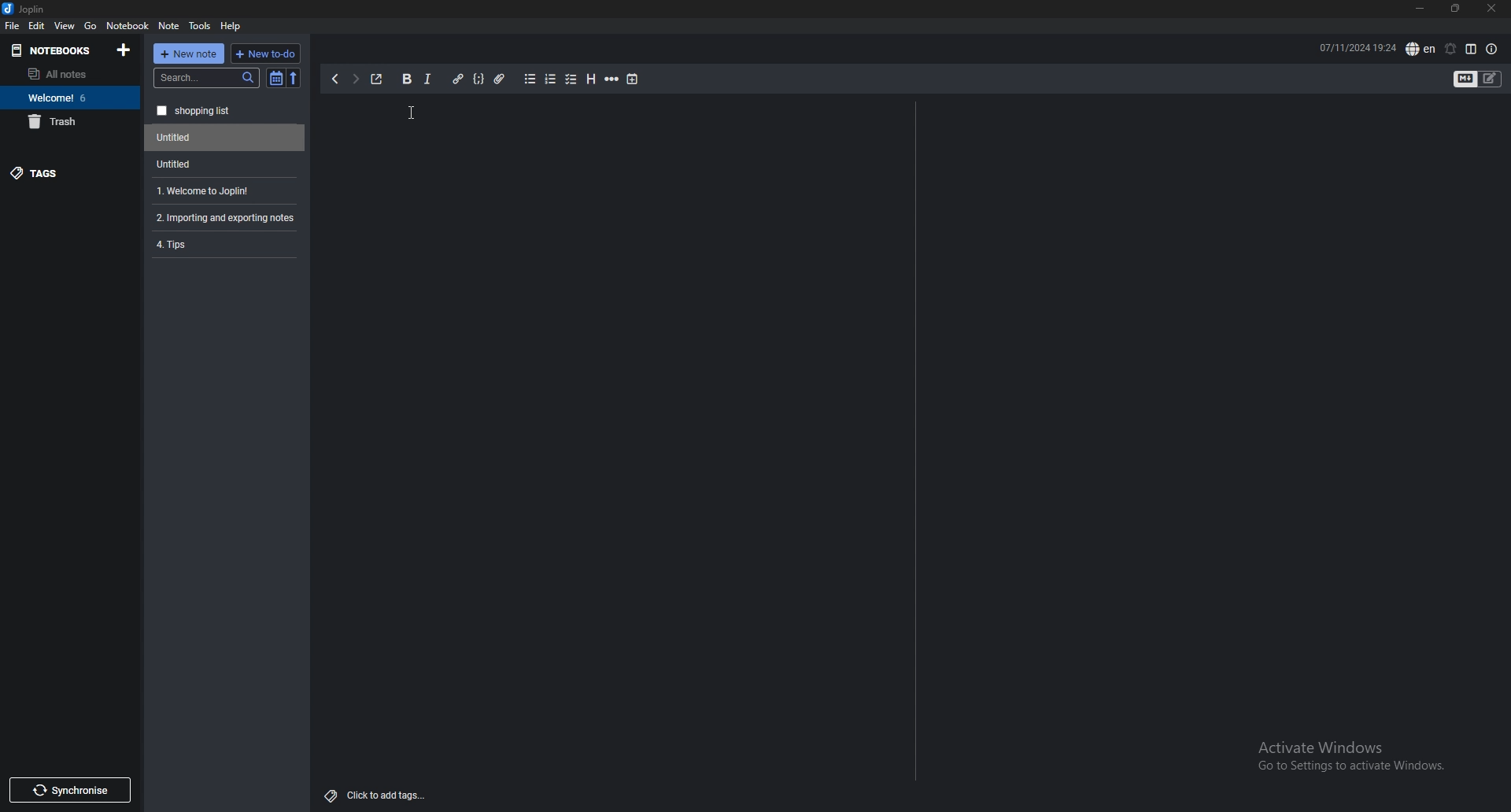 This screenshot has height=812, width=1511. What do you see at coordinates (405, 79) in the screenshot?
I see `bold` at bounding box center [405, 79].